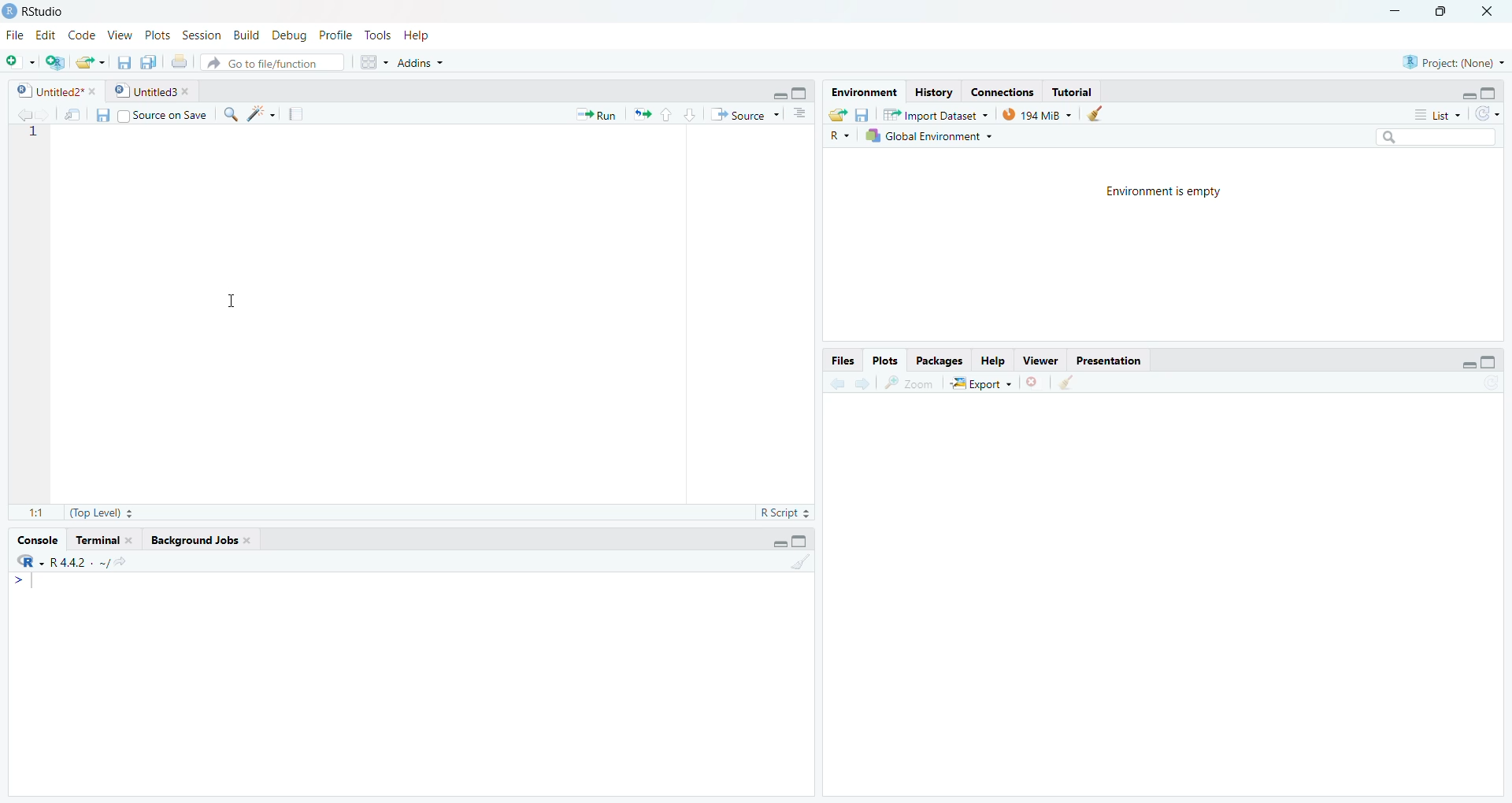 The image size is (1512, 803). Describe the element at coordinates (60, 92) in the screenshot. I see `Untitled2` at that location.